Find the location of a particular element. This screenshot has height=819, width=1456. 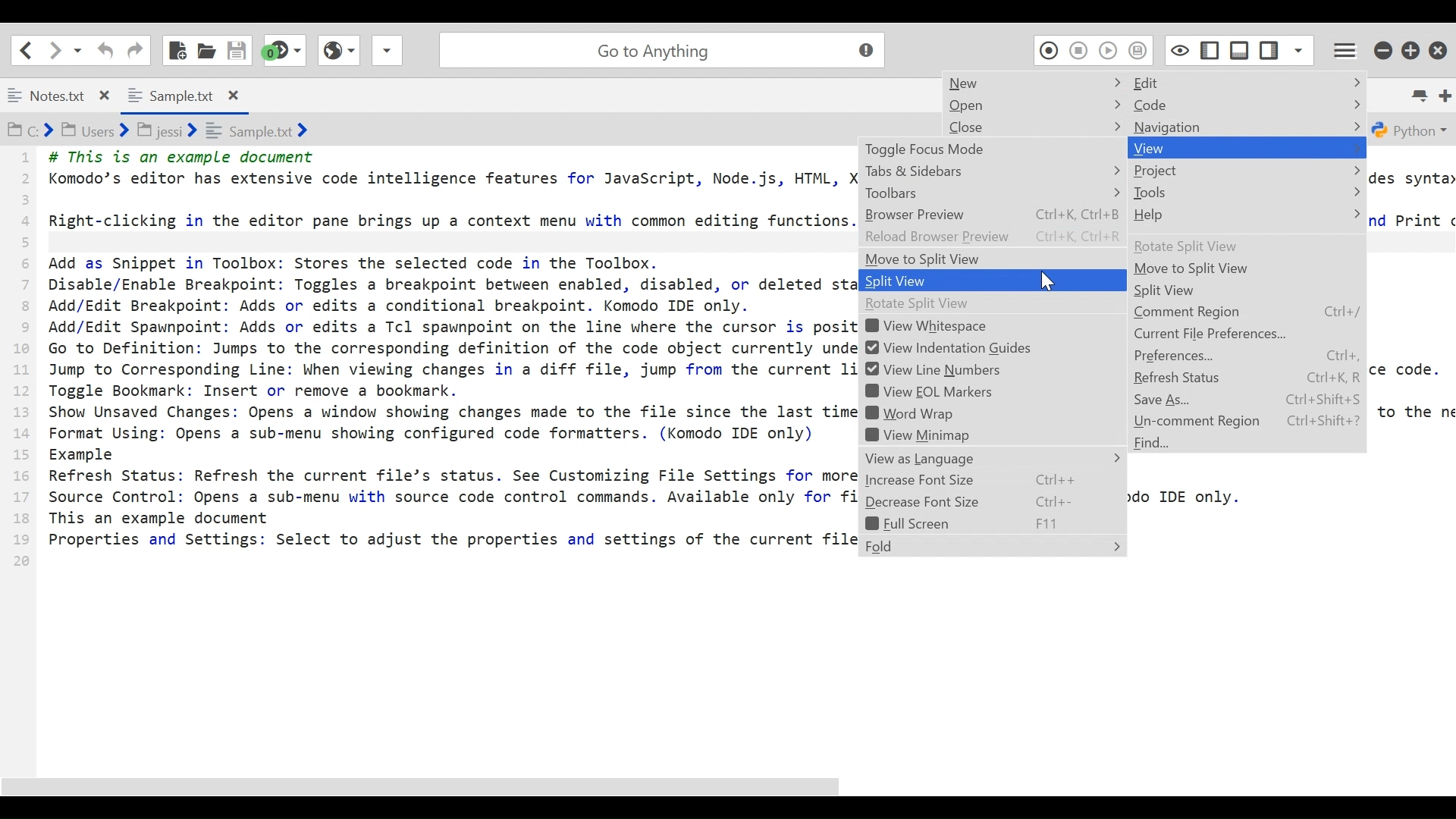

Rotate Split View is located at coordinates (1248, 246).